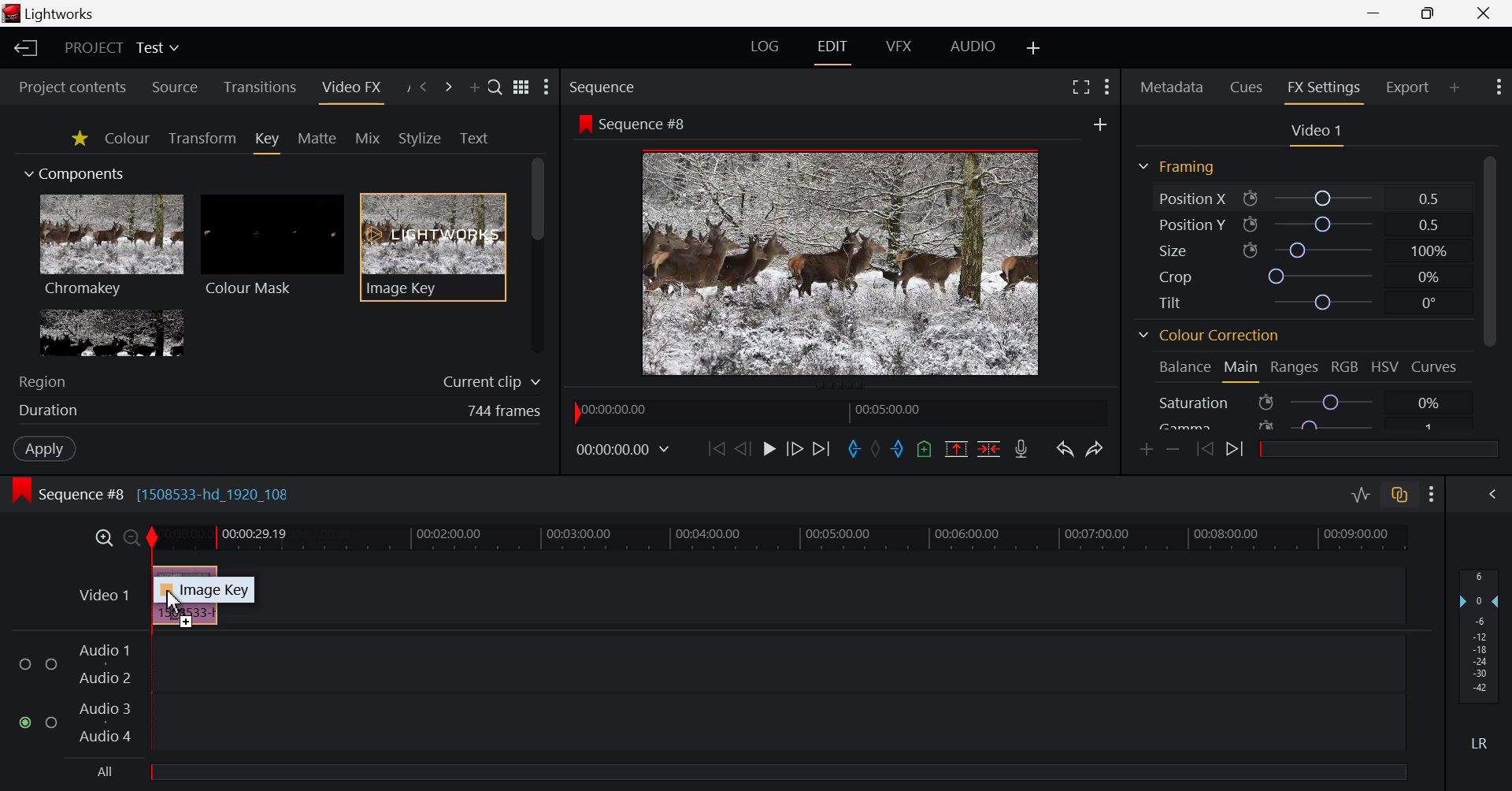 The width and height of the screenshot is (1512, 791). What do you see at coordinates (491, 383) in the screenshot?
I see `Current clip` at bounding box center [491, 383].